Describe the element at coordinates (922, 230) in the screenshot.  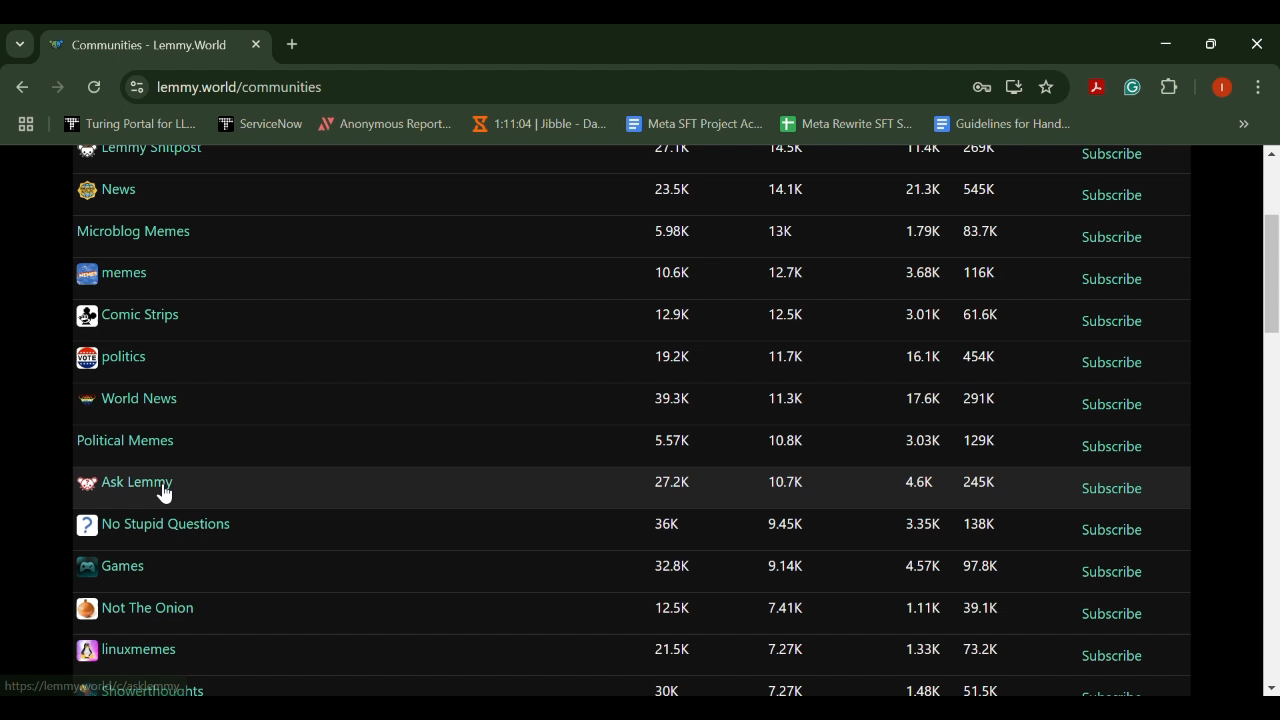
I see `1.79K` at that location.